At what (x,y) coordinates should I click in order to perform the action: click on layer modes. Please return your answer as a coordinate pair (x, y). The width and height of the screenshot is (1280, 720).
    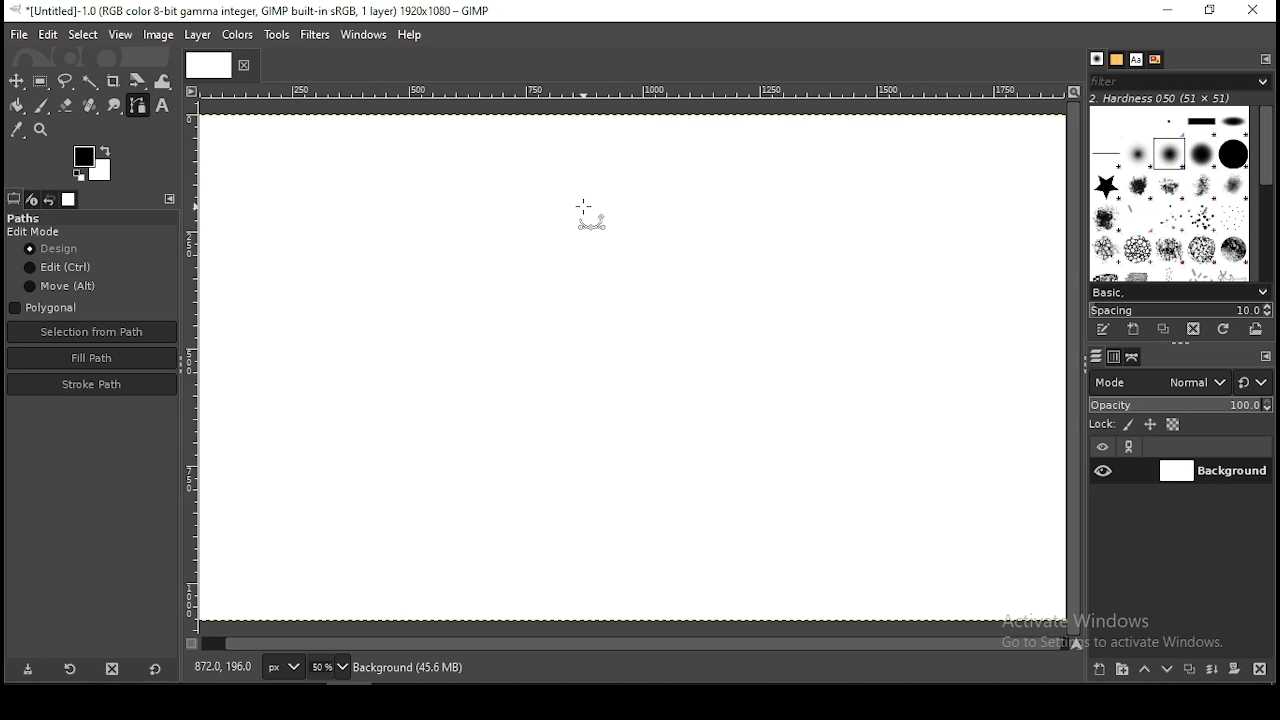
    Looking at the image, I should click on (1159, 382).